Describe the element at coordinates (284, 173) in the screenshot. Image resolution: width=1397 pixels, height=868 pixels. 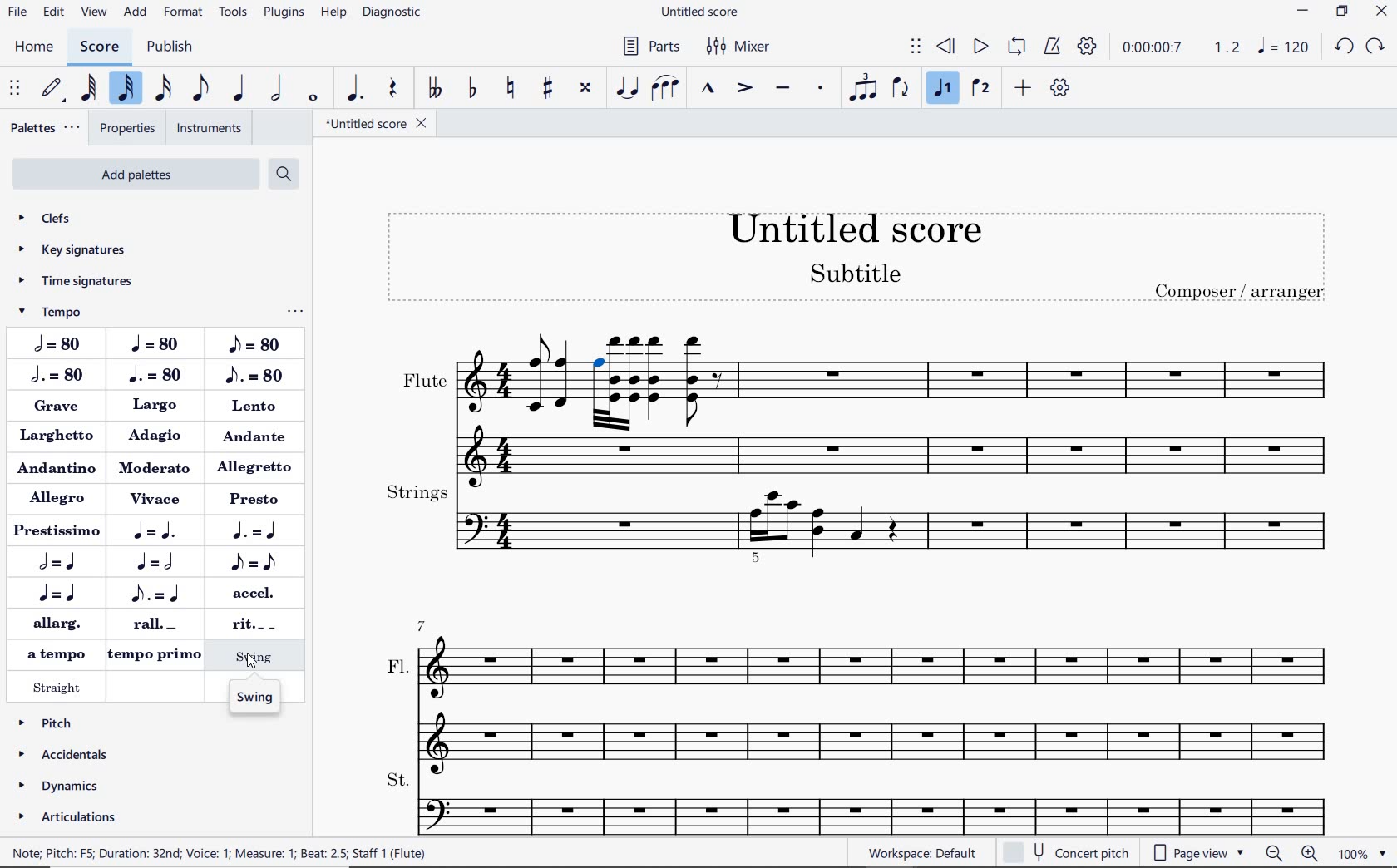
I see `search palettes` at that location.